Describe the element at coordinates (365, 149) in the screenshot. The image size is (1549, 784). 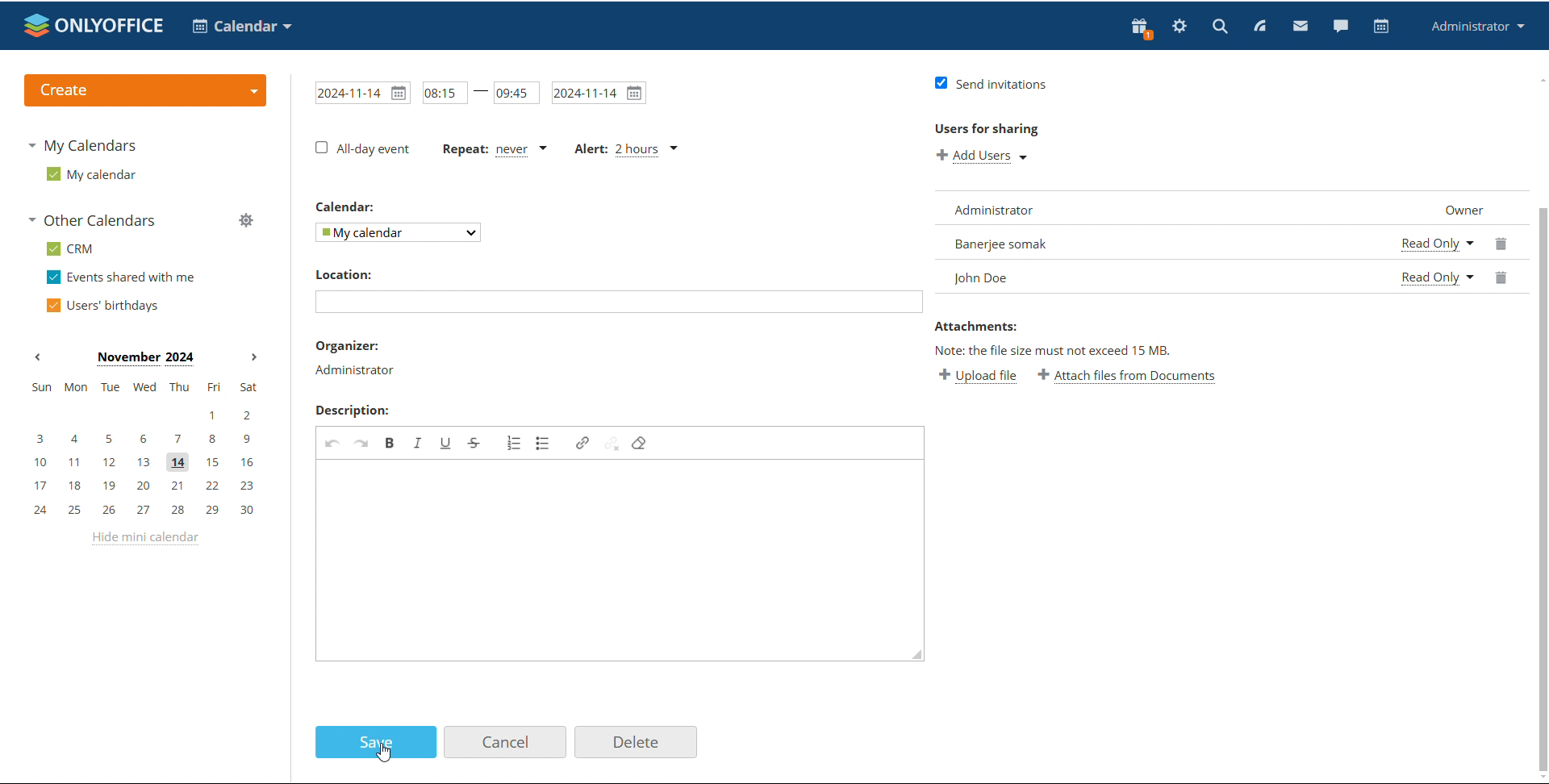
I see `all day event checkbox` at that location.